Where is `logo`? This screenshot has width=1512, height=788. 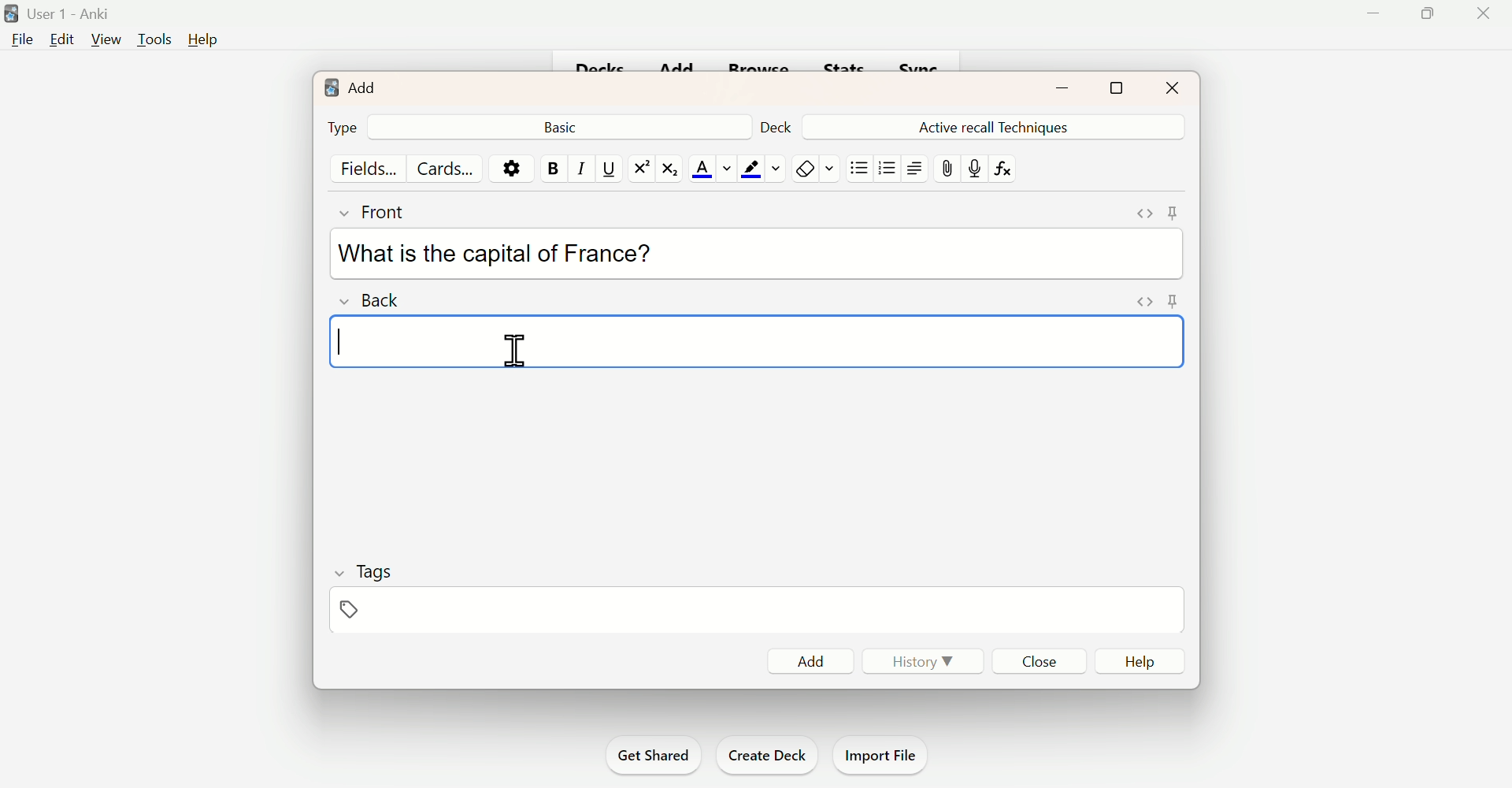 logo is located at coordinates (329, 89).